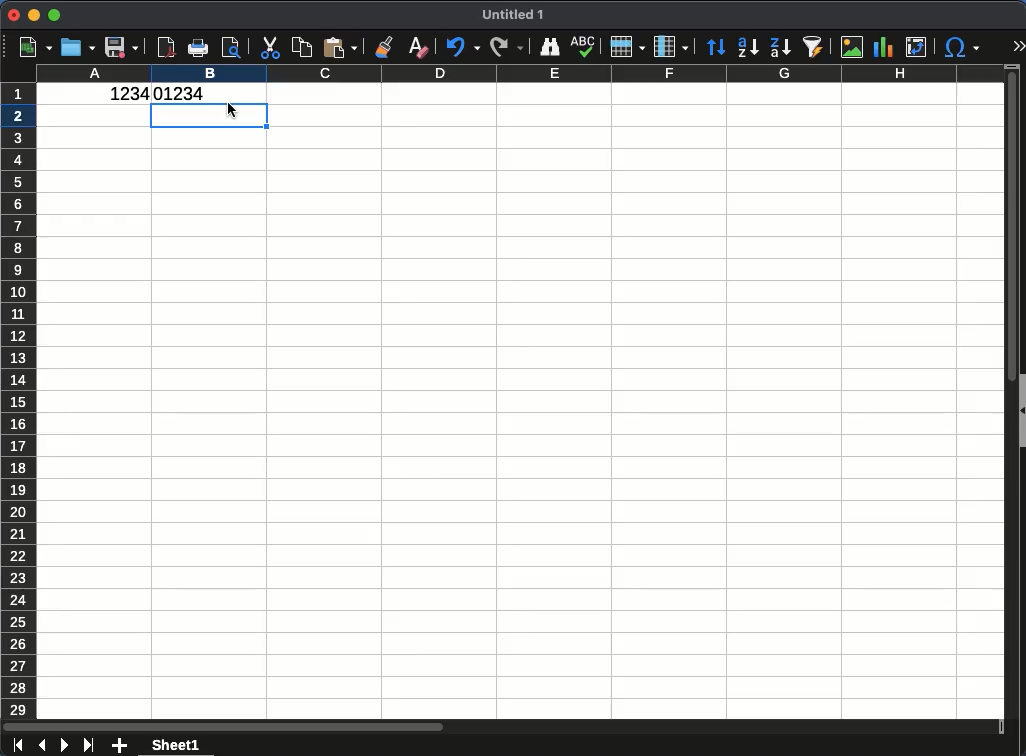  What do you see at coordinates (175, 746) in the screenshot?
I see `sheet 1` at bounding box center [175, 746].